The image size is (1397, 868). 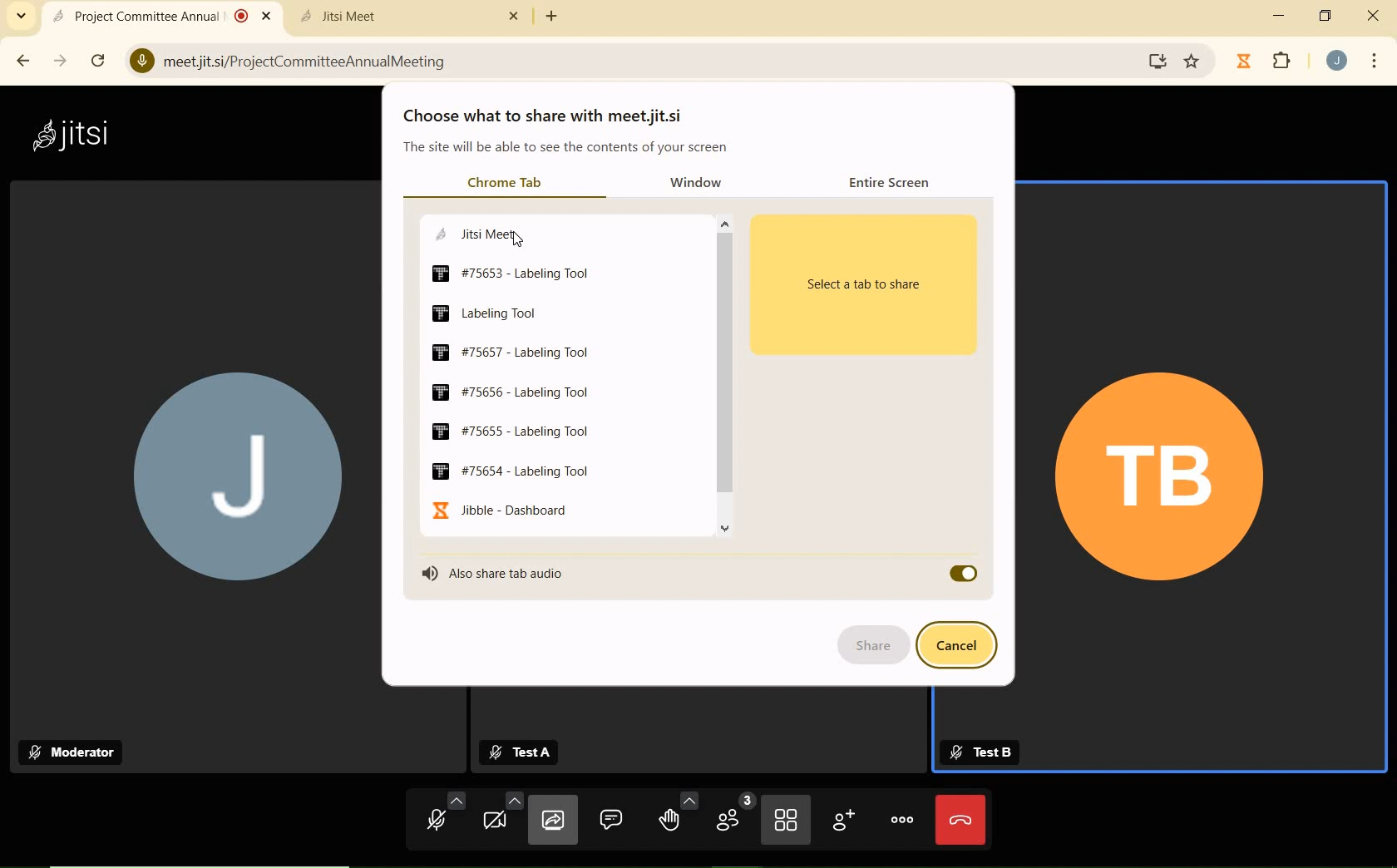 What do you see at coordinates (501, 816) in the screenshot?
I see `camera` at bounding box center [501, 816].